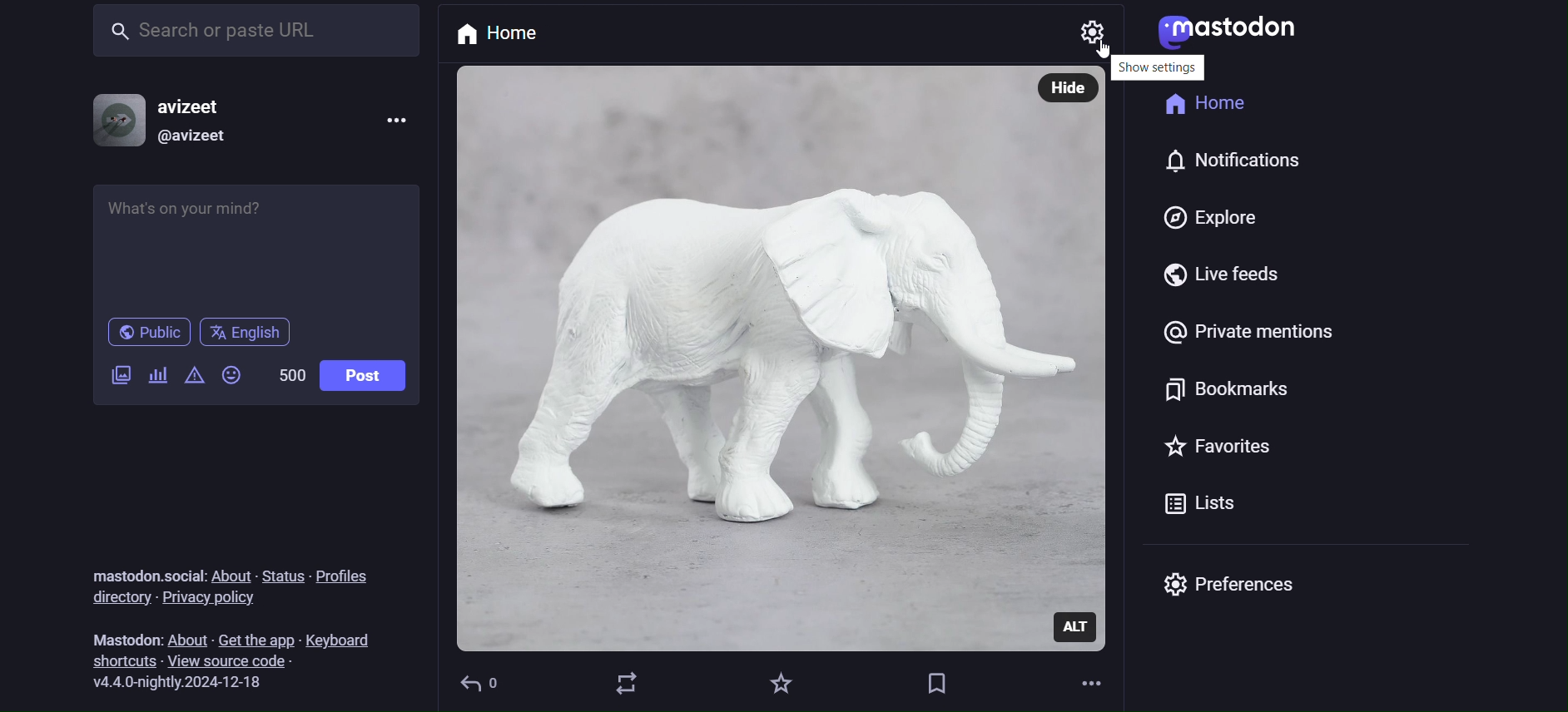  I want to click on Preferences, so click(1243, 591).